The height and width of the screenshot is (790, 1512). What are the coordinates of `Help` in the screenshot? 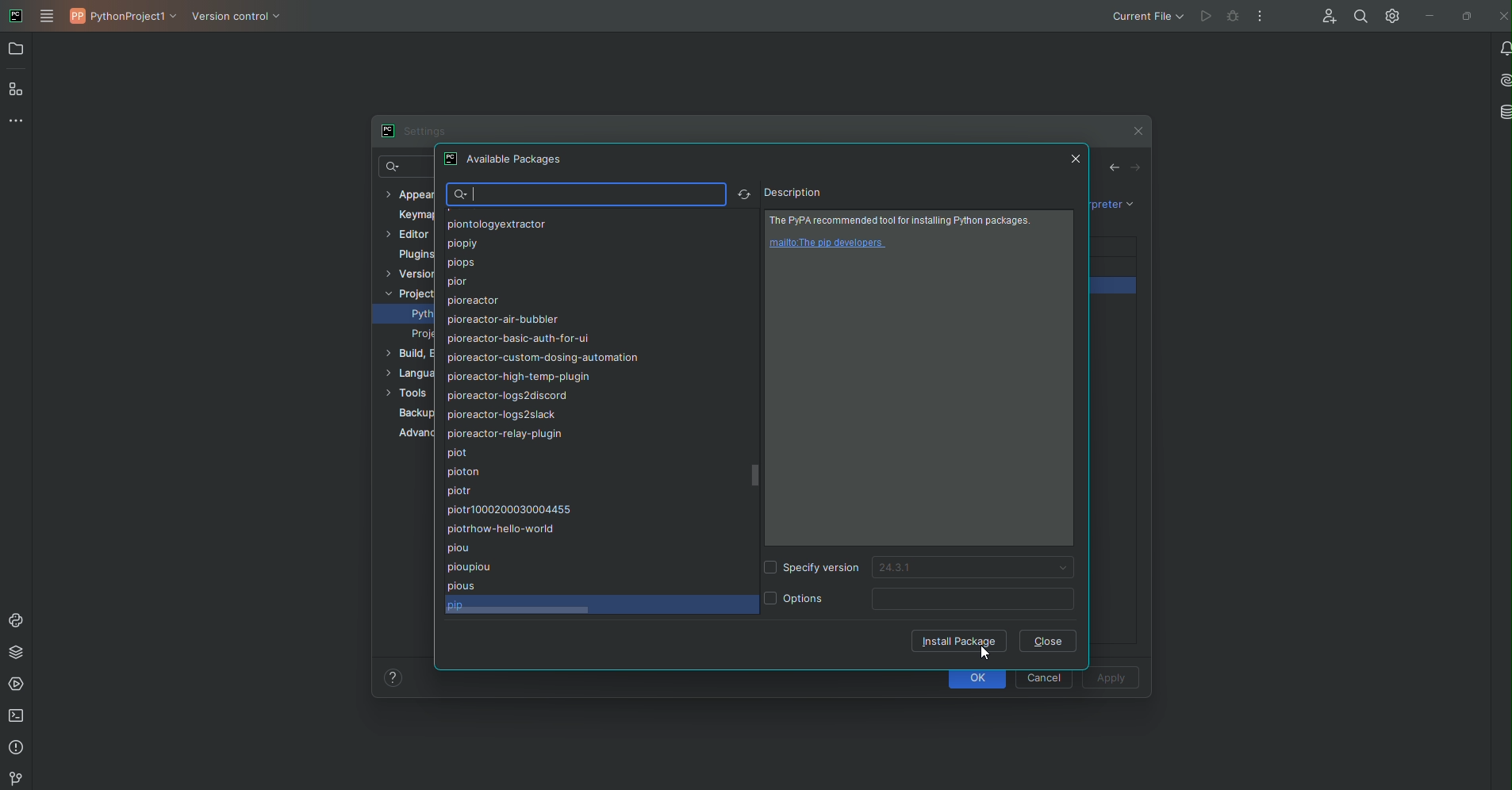 It's located at (392, 677).